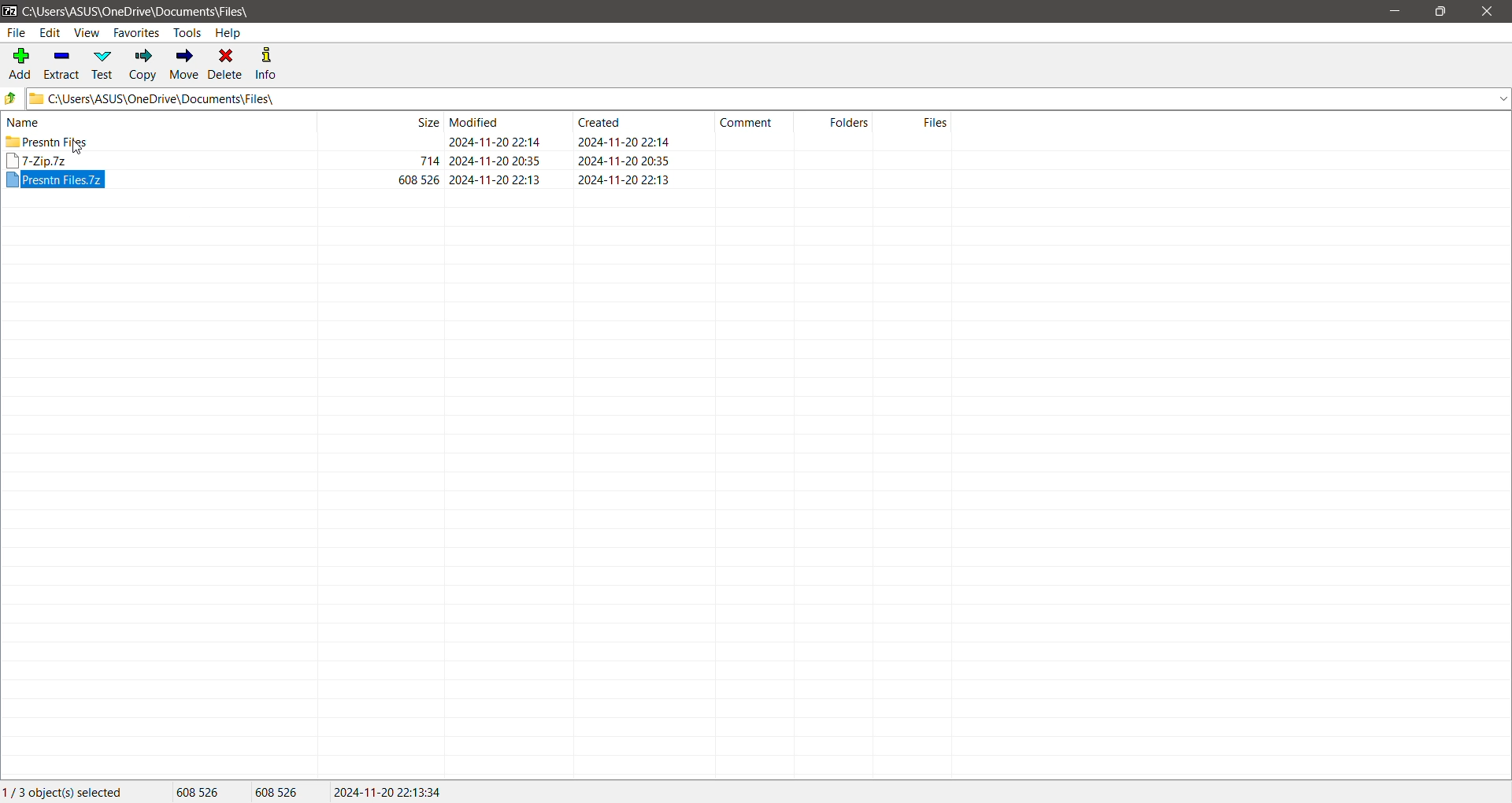  What do you see at coordinates (428, 160) in the screenshot?
I see `size` at bounding box center [428, 160].